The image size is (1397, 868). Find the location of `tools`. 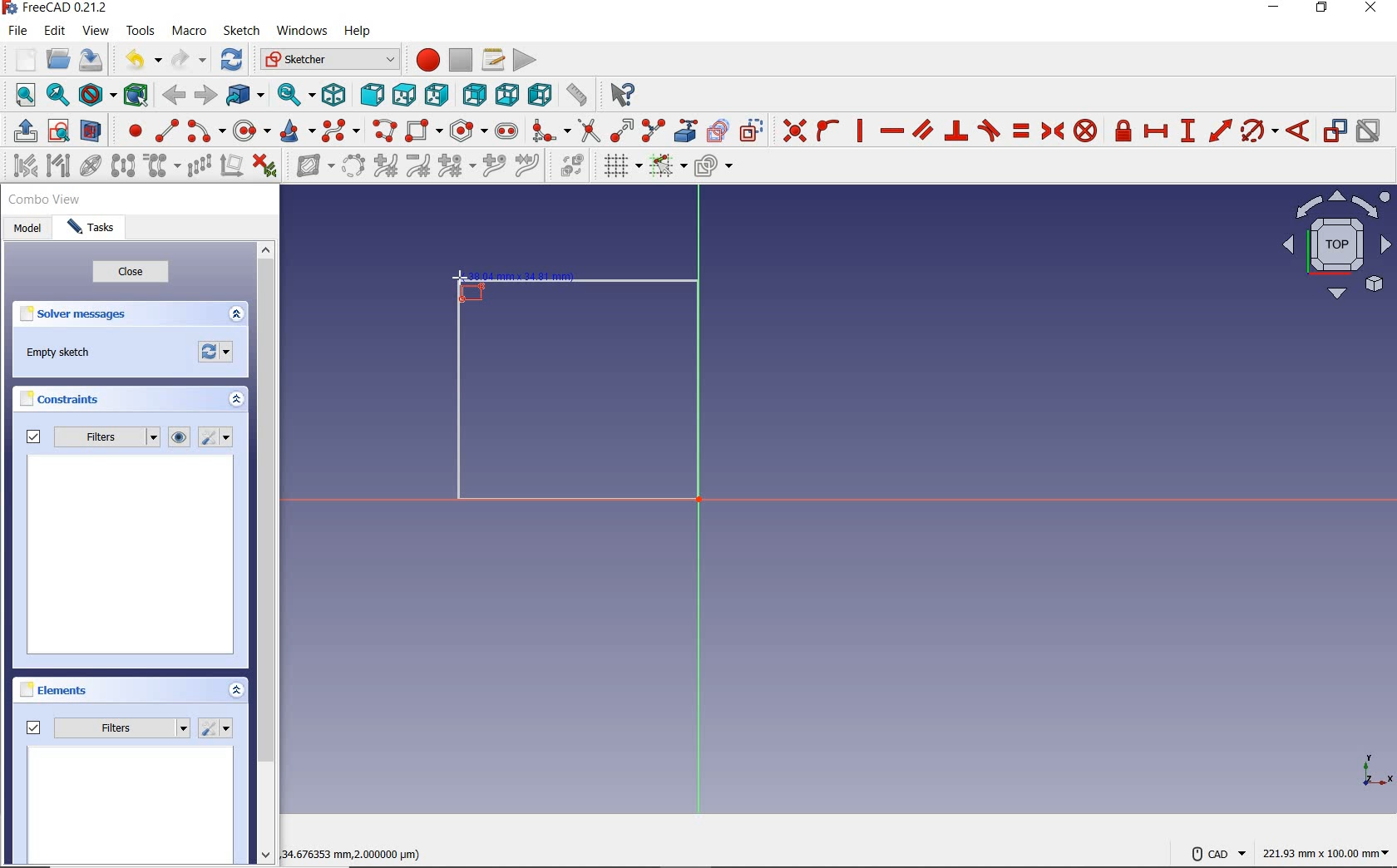

tools is located at coordinates (141, 32).